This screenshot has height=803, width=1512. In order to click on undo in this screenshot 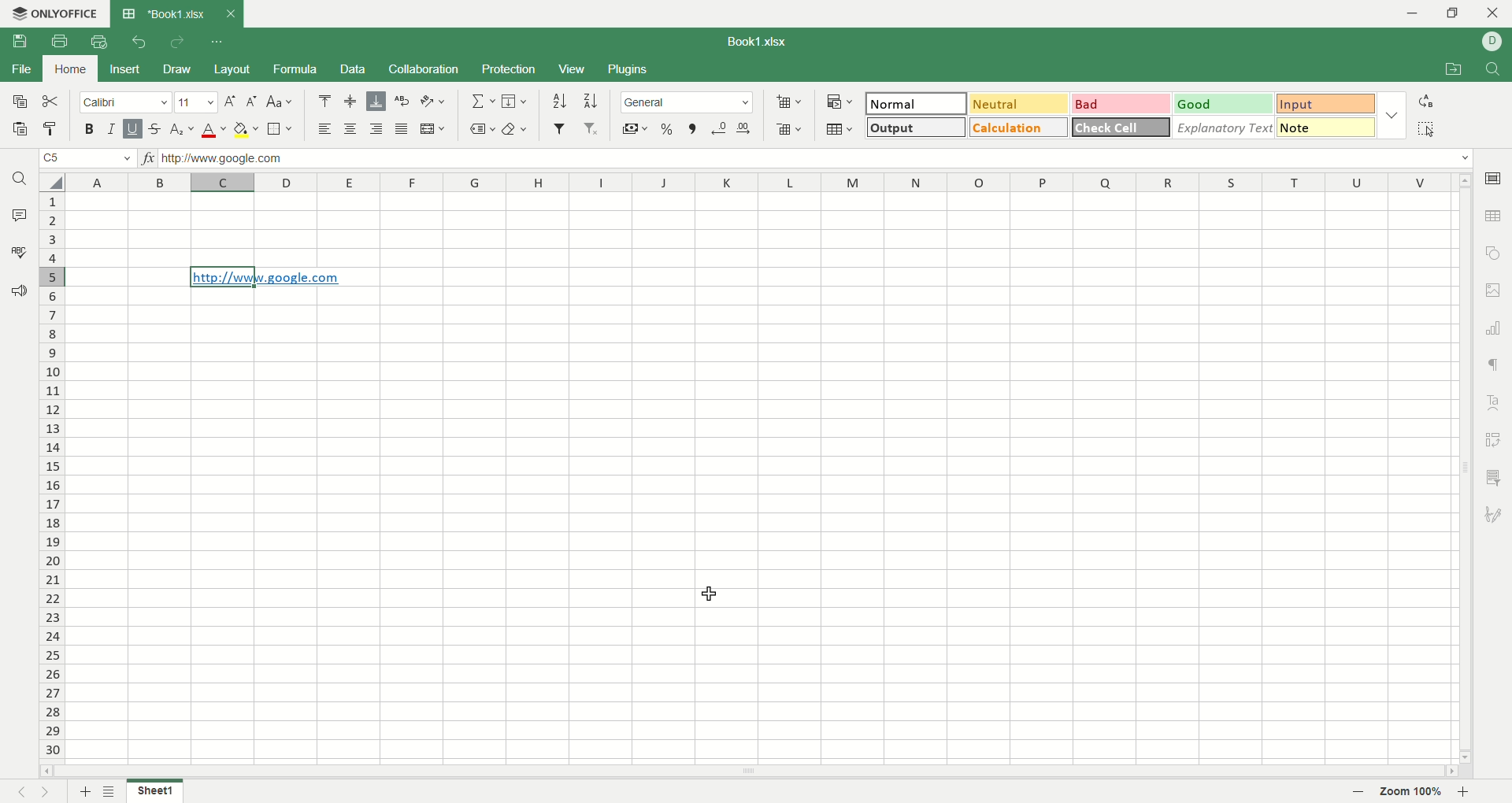, I will do `click(136, 41)`.